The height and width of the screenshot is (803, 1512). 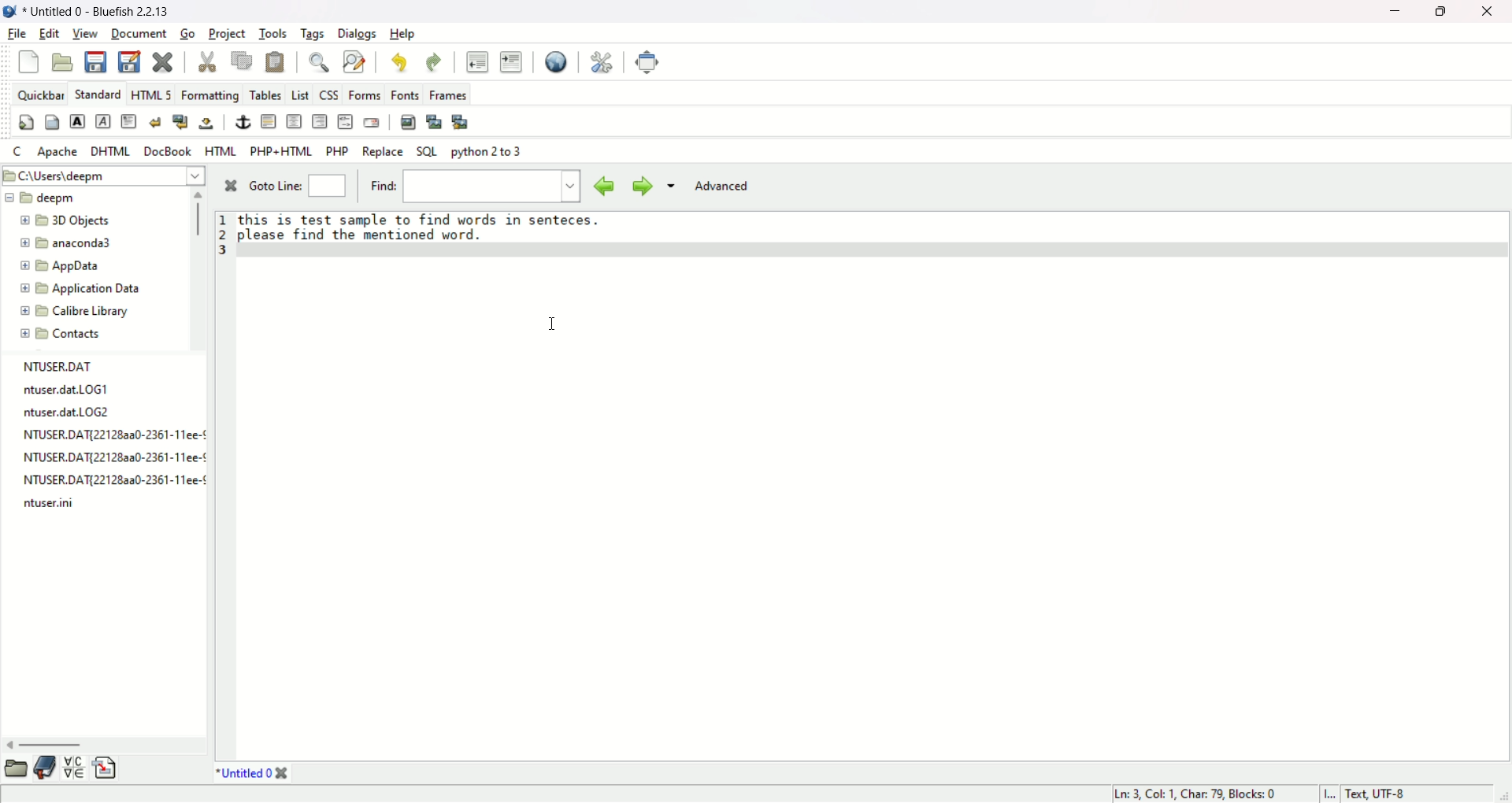 I want to click on HTML comment, so click(x=344, y=121).